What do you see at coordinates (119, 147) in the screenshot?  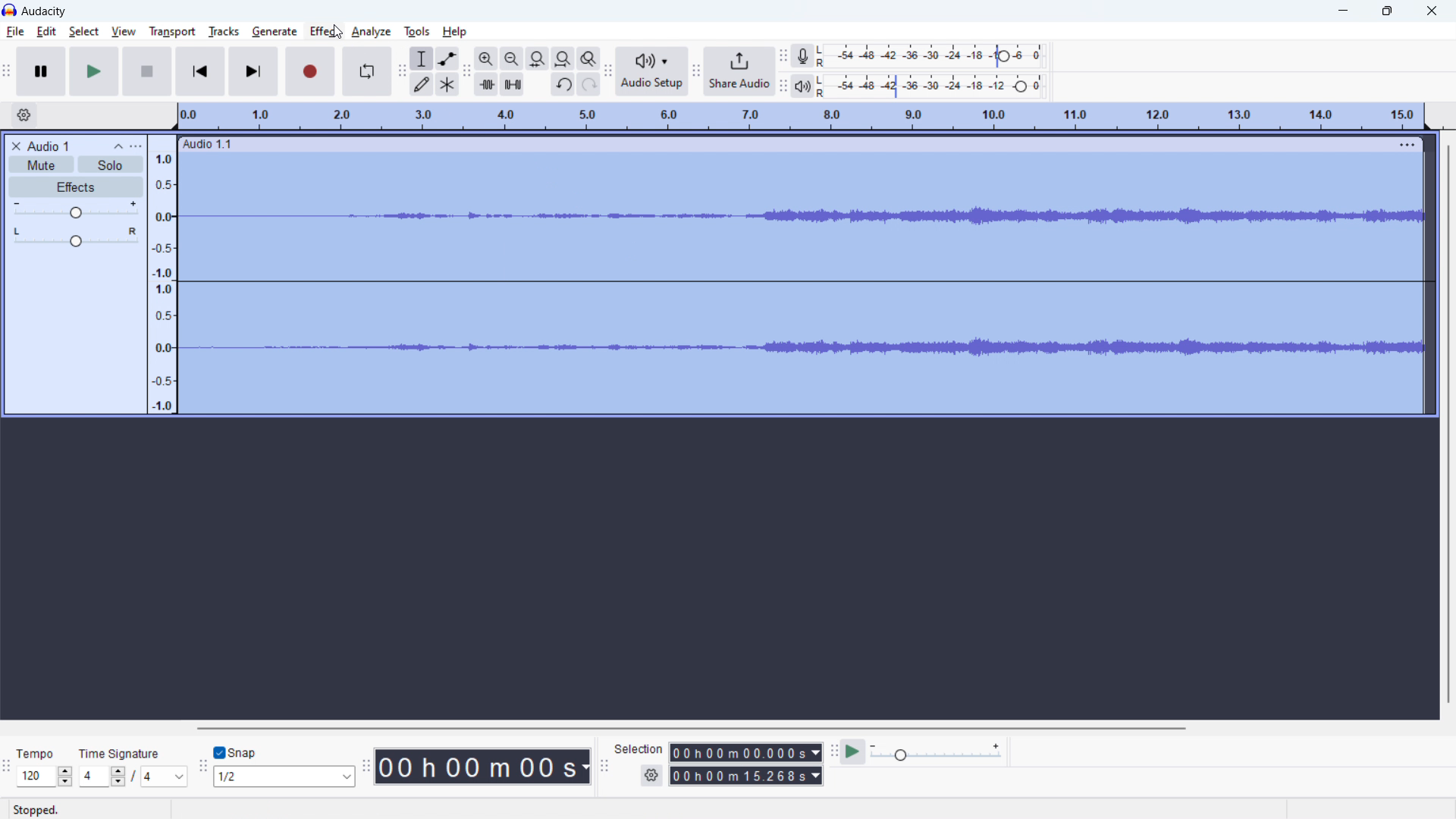 I see `collapse` at bounding box center [119, 147].